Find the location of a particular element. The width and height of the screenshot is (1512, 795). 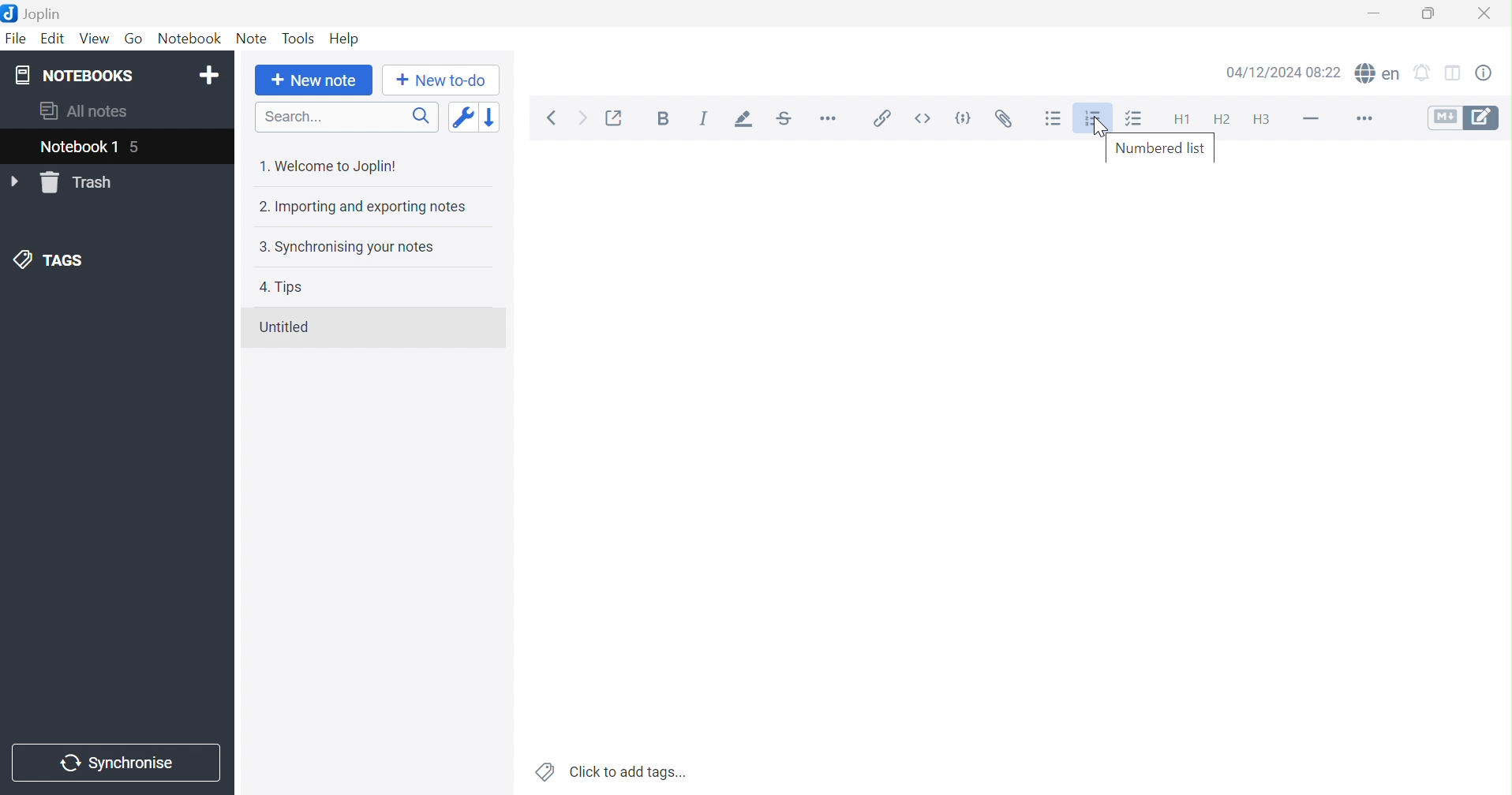

Italic is located at coordinates (705, 118).